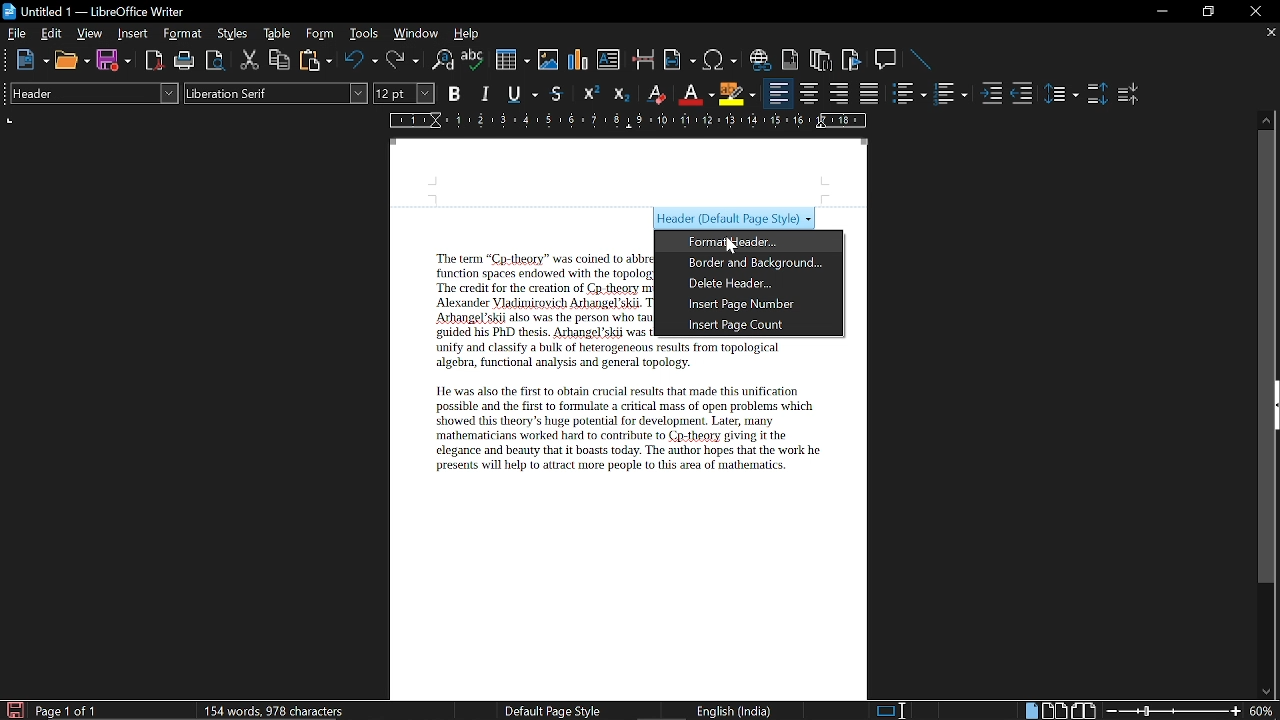  What do you see at coordinates (821, 60) in the screenshot?
I see `Insert footnote` at bounding box center [821, 60].